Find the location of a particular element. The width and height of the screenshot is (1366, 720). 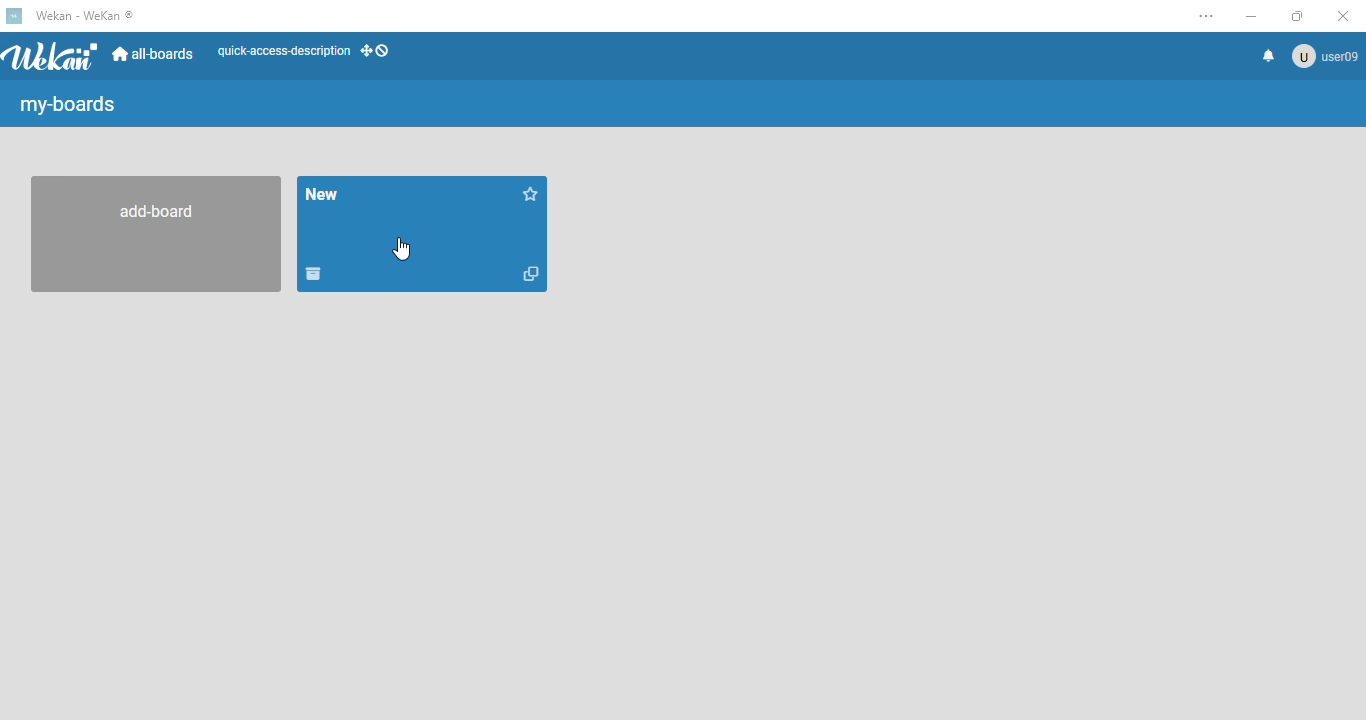

new is located at coordinates (322, 194).